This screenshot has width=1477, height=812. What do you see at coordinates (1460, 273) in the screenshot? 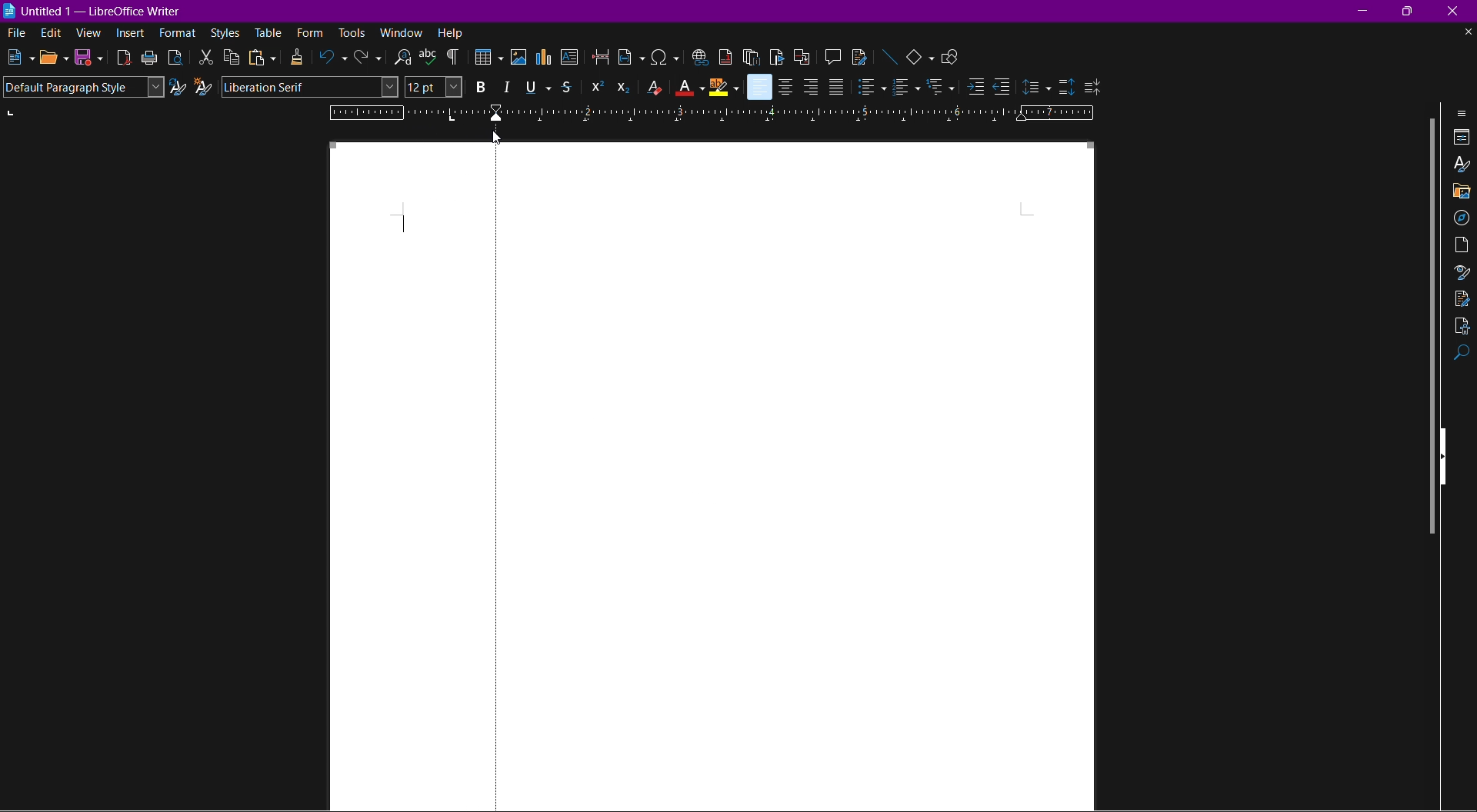
I see `Style Inspector` at bounding box center [1460, 273].